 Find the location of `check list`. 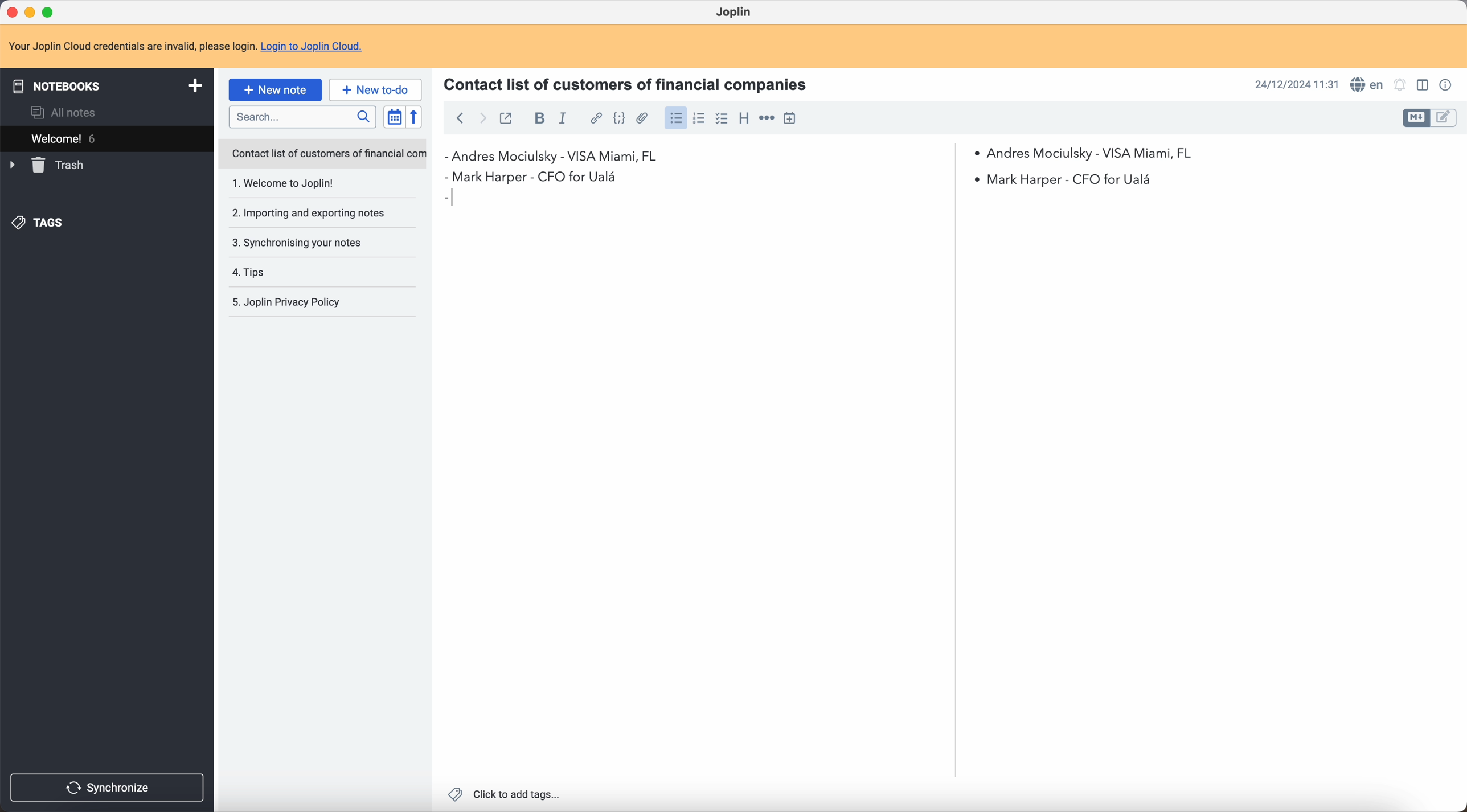

check list is located at coordinates (722, 119).